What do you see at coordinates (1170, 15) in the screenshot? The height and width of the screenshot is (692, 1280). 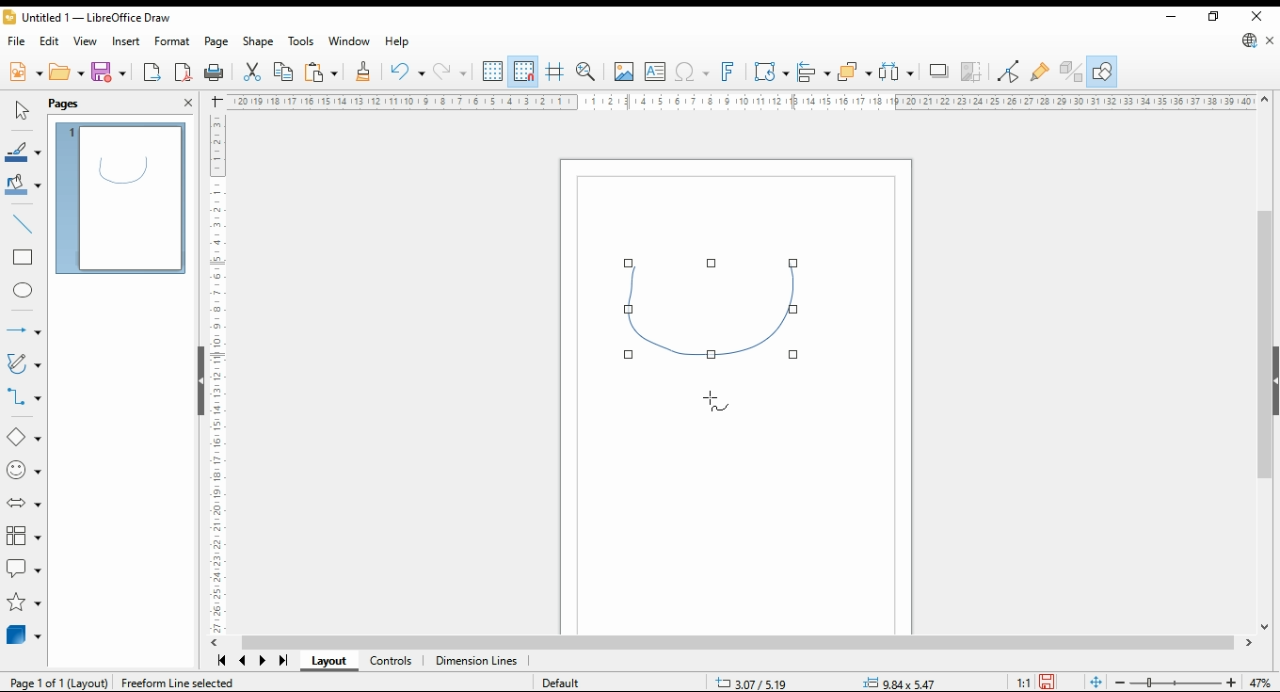 I see `minimize` at bounding box center [1170, 15].